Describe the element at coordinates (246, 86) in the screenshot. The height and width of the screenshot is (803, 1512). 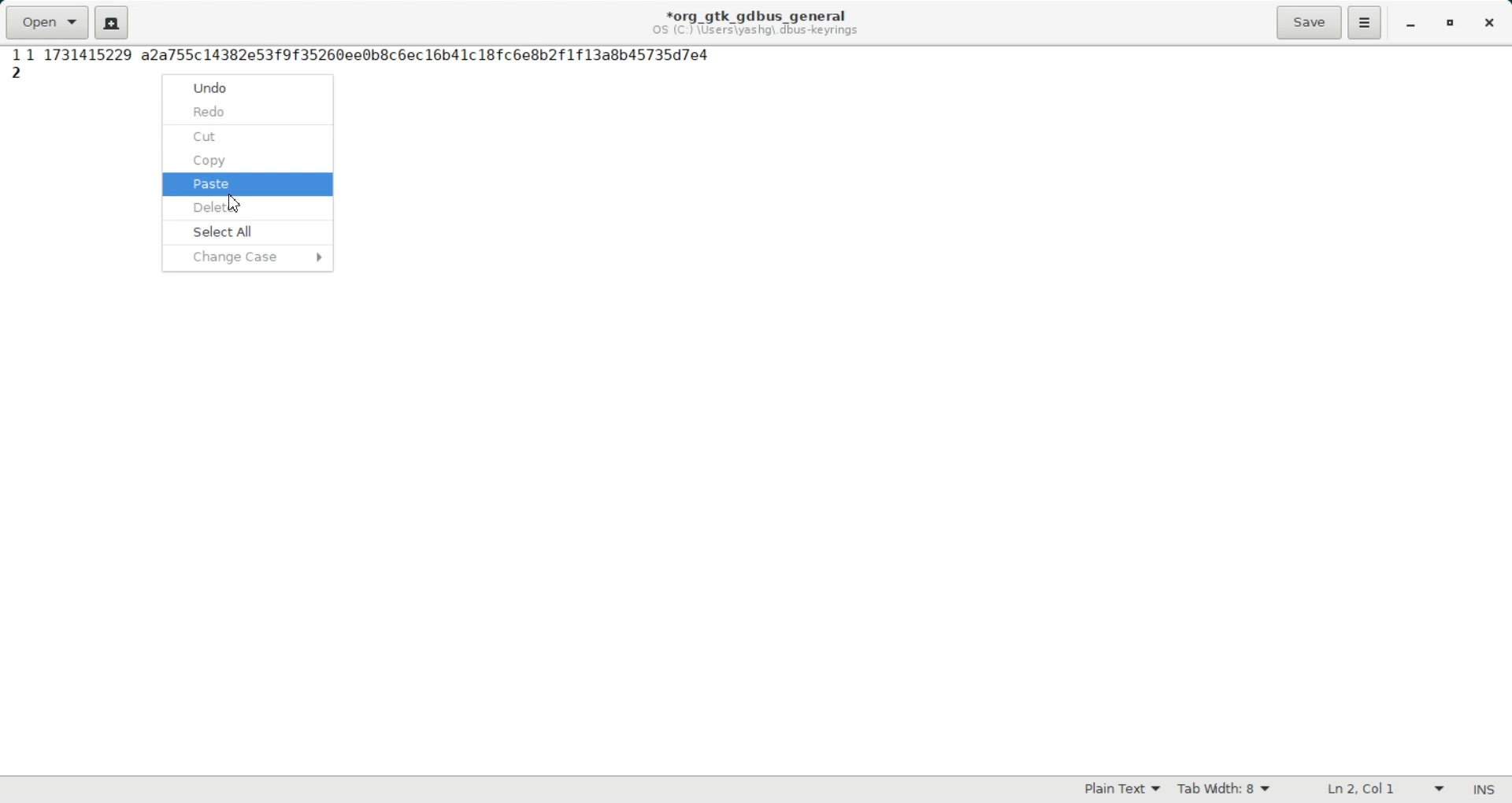
I see `undo ` at that location.